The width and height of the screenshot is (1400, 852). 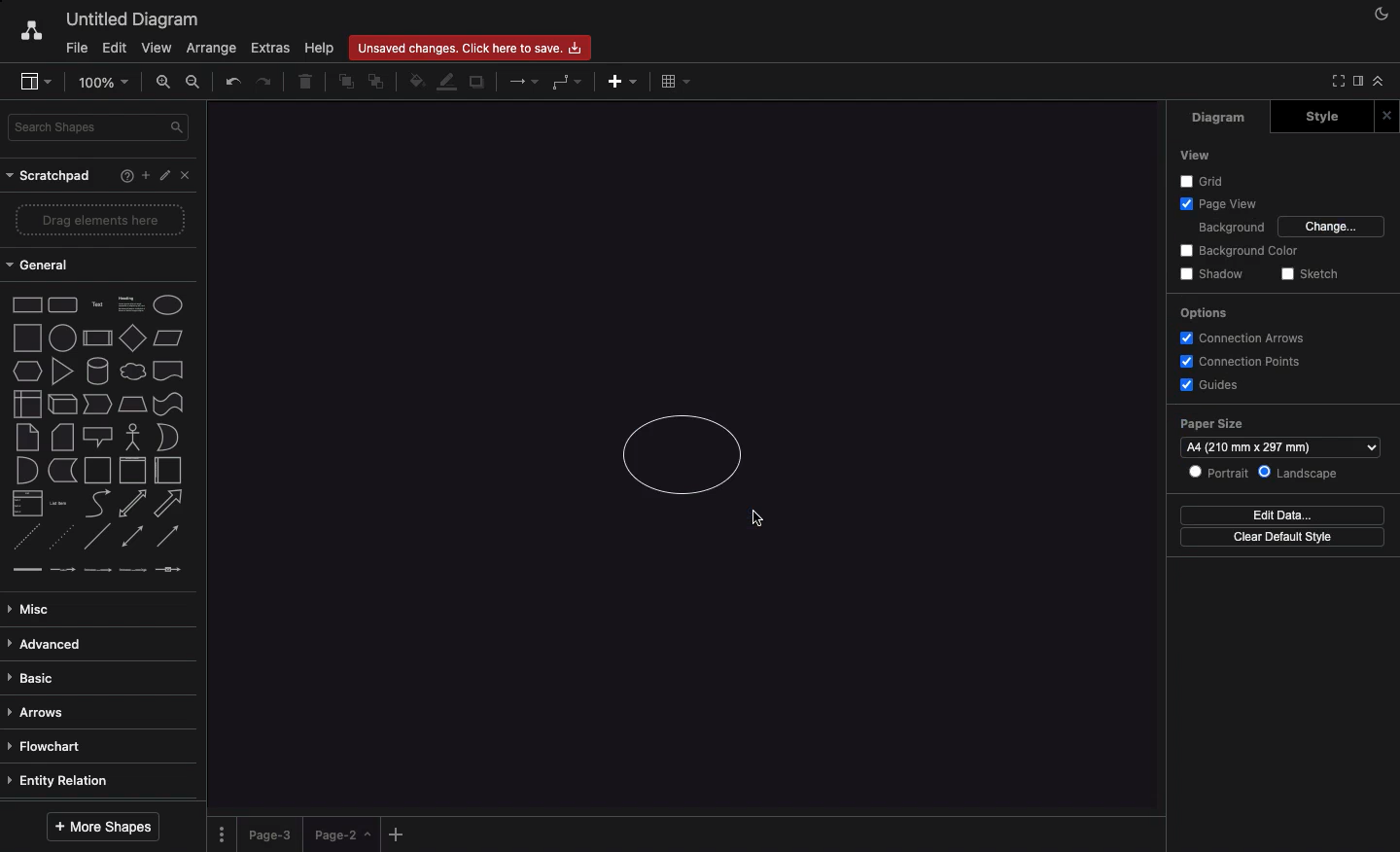 I want to click on Duplicate, so click(x=479, y=81).